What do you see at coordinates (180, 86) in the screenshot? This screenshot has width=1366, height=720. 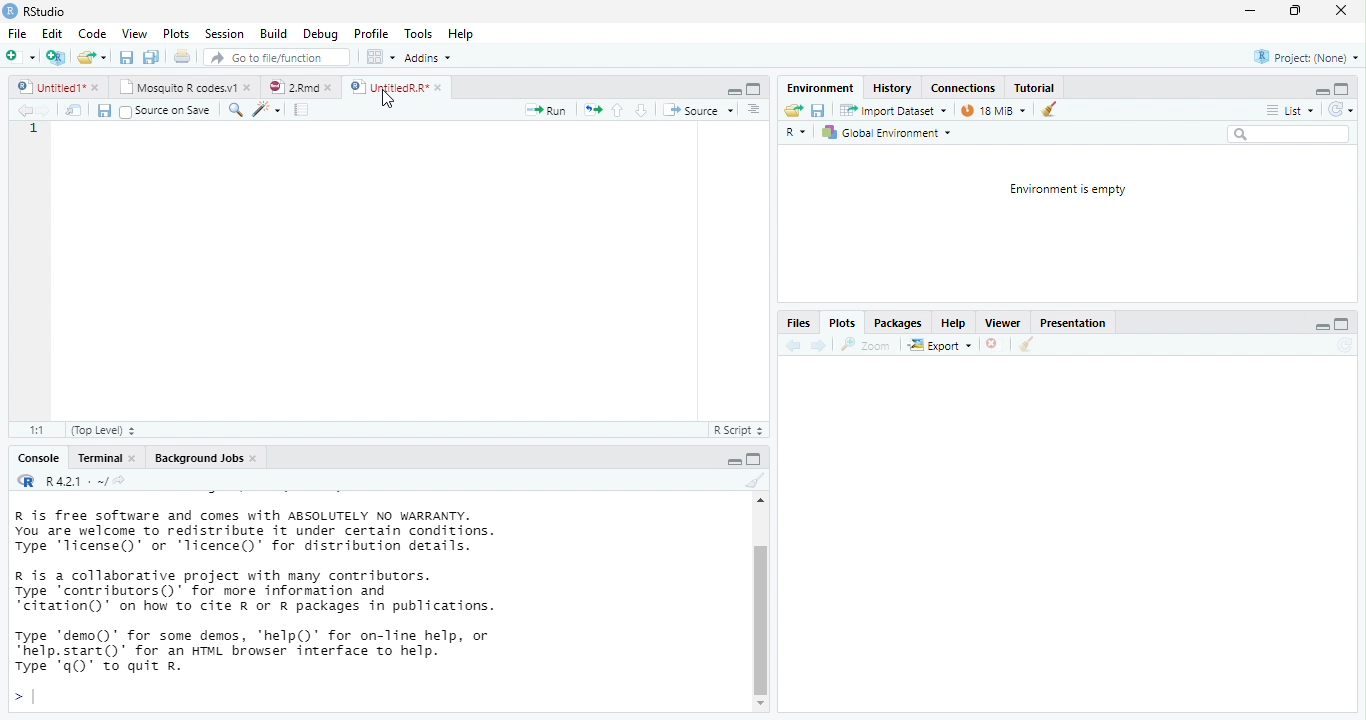 I see `Mosquito R codes.v1` at bounding box center [180, 86].